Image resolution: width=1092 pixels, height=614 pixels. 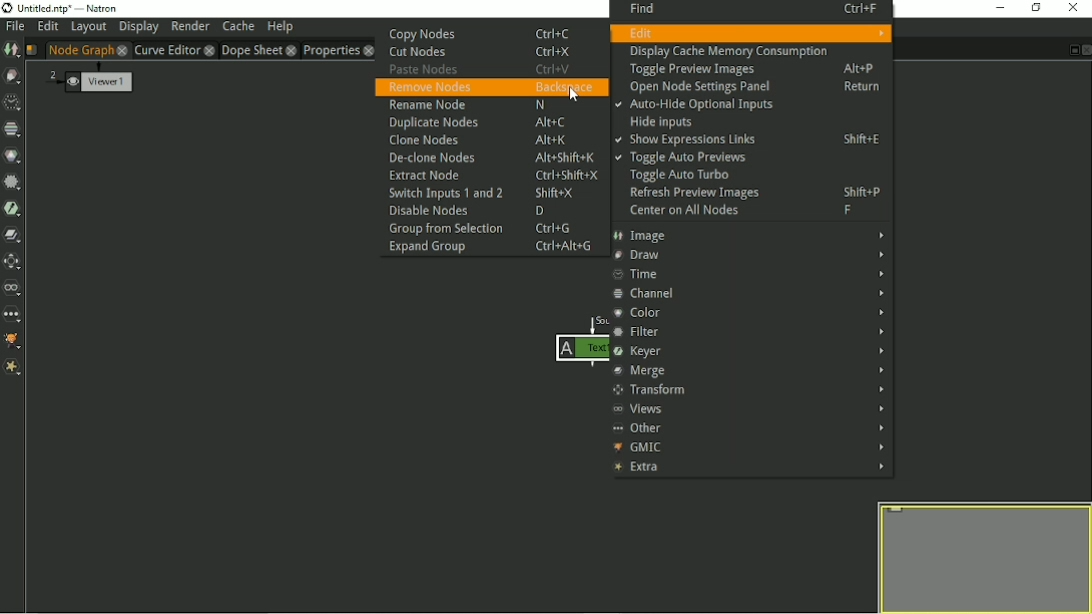 What do you see at coordinates (368, 50) in the screenshot?
I see `close` at bounding box center [368, 50].